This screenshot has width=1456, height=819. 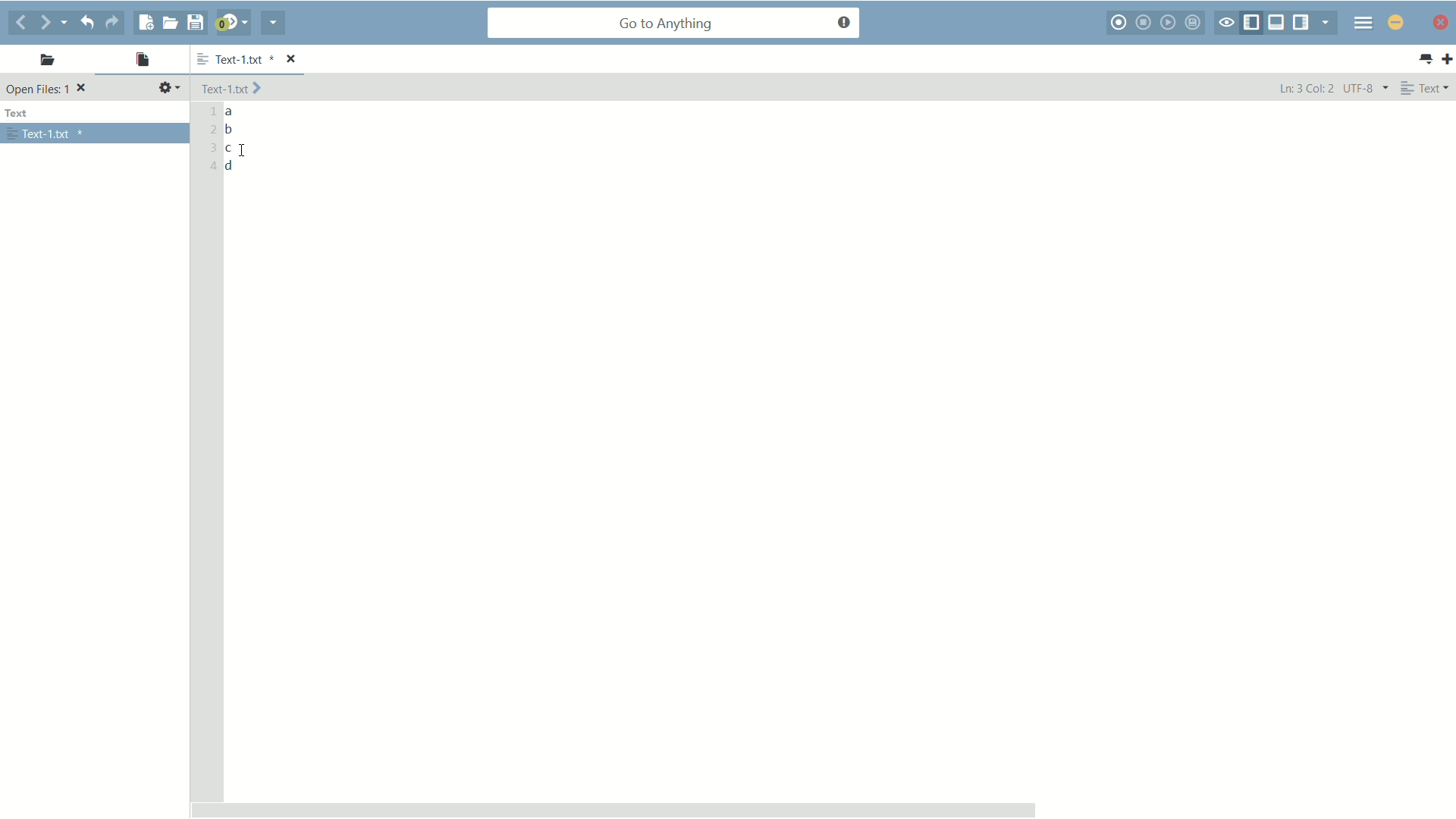 I want to click on show specific tab, so click(x=1326, y=22).